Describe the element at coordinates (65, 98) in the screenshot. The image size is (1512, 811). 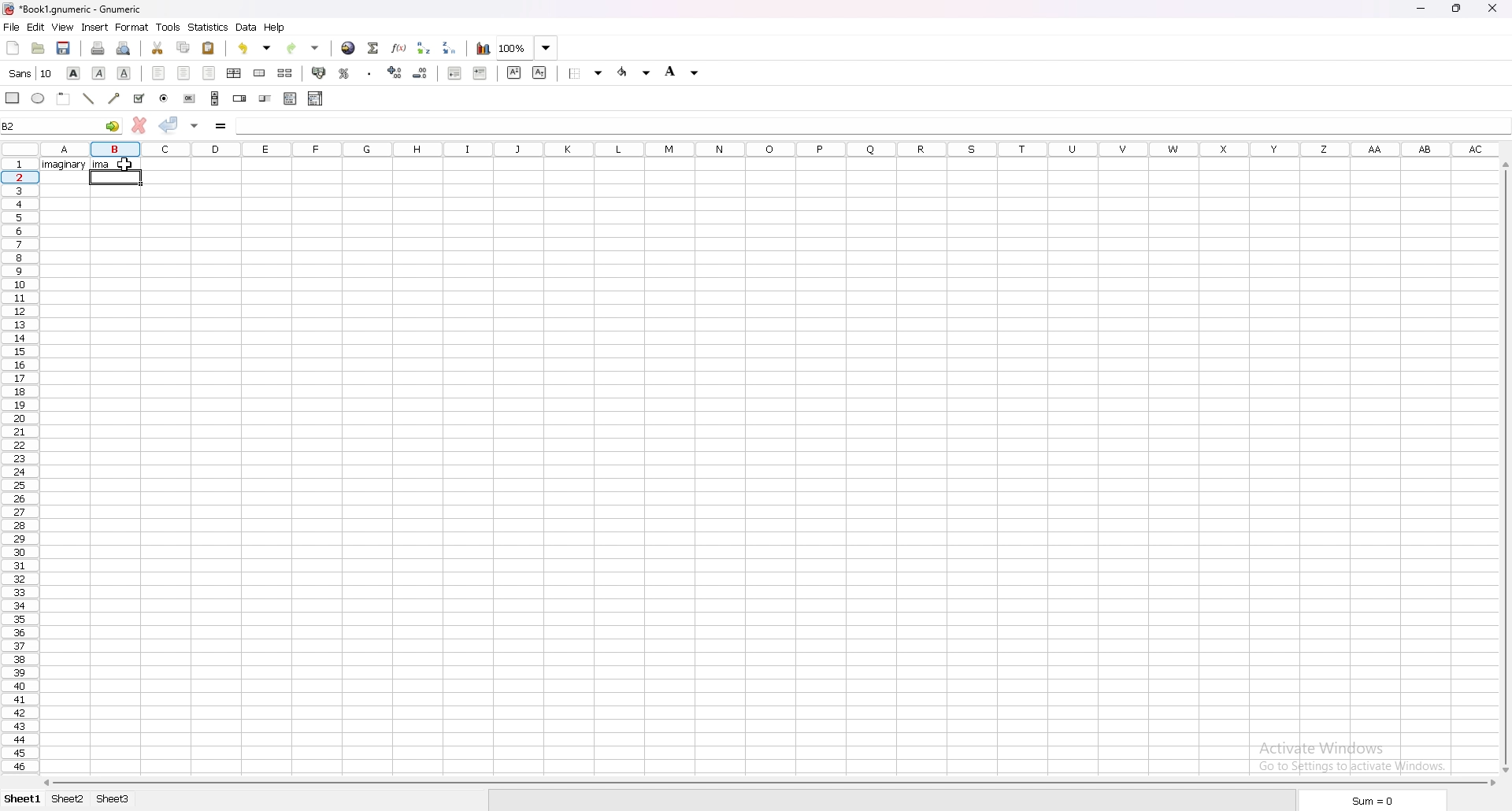
I see `frame` at that location.